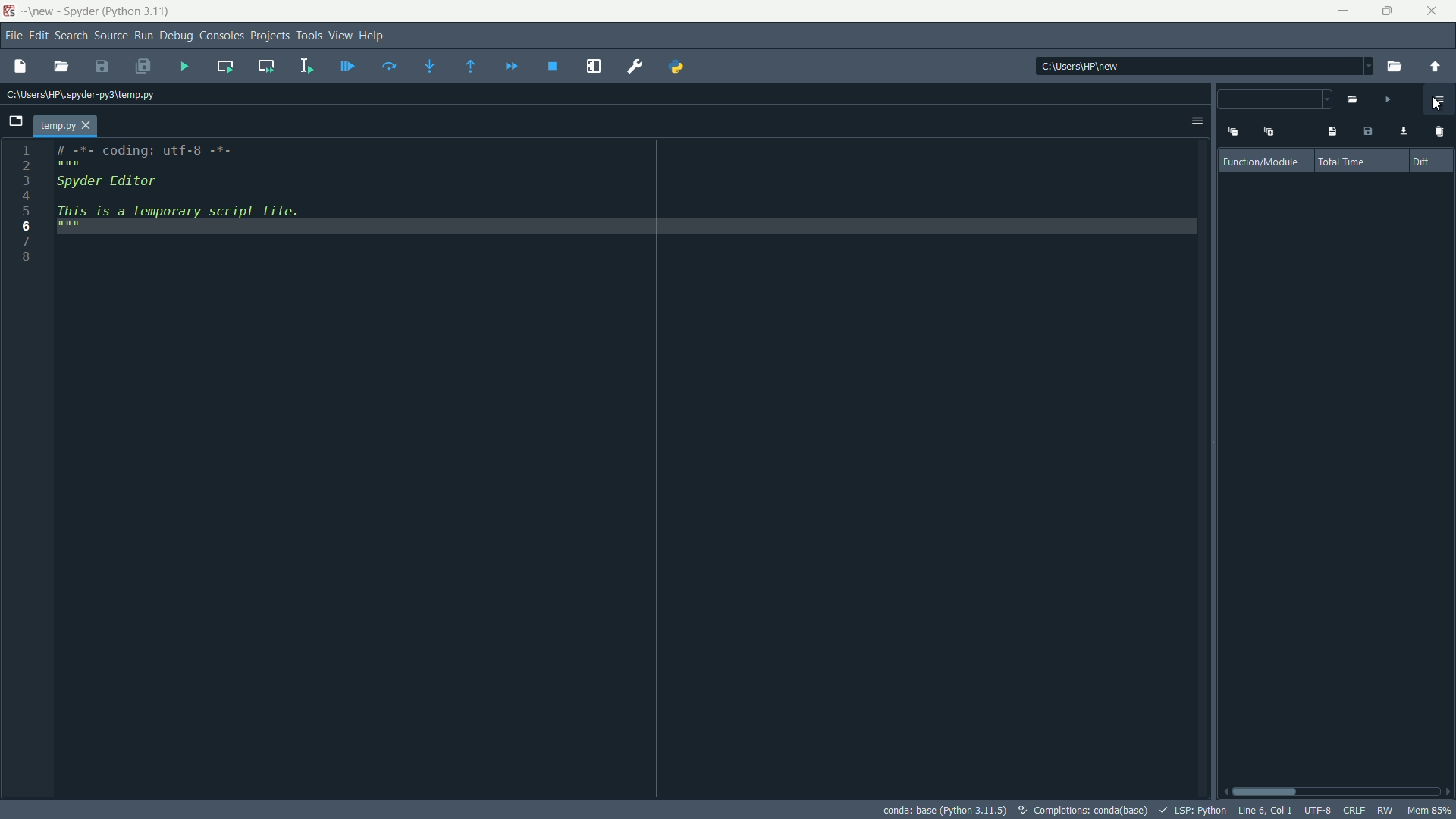 This screenshot has width=1456, height=819. Describe the element at coordinates (220, 36) in the screenshot. I see `consoles menu` at that location.